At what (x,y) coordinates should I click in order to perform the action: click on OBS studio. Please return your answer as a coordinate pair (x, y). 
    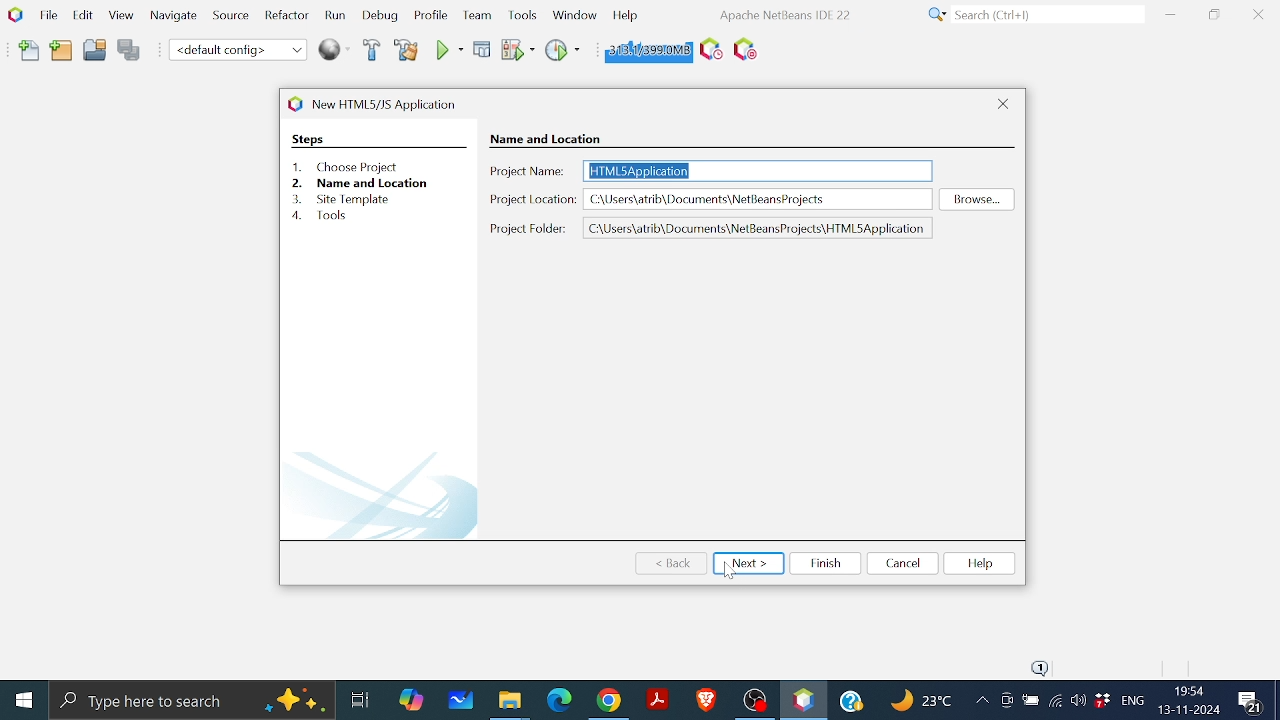
    Looking at the image, I should click on (754, 699).